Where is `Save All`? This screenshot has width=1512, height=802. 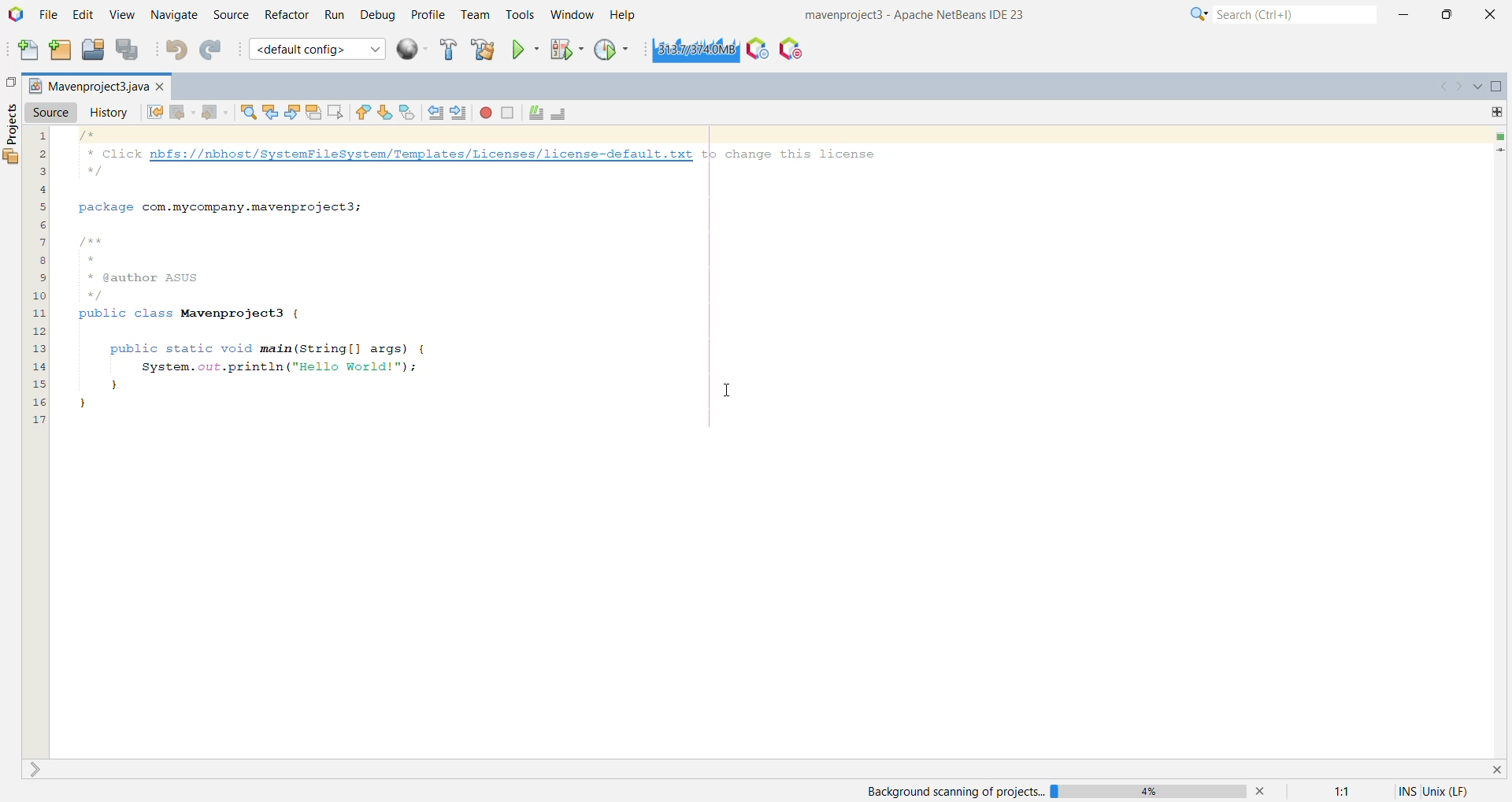
Save All is located at coordinates (129, 50).